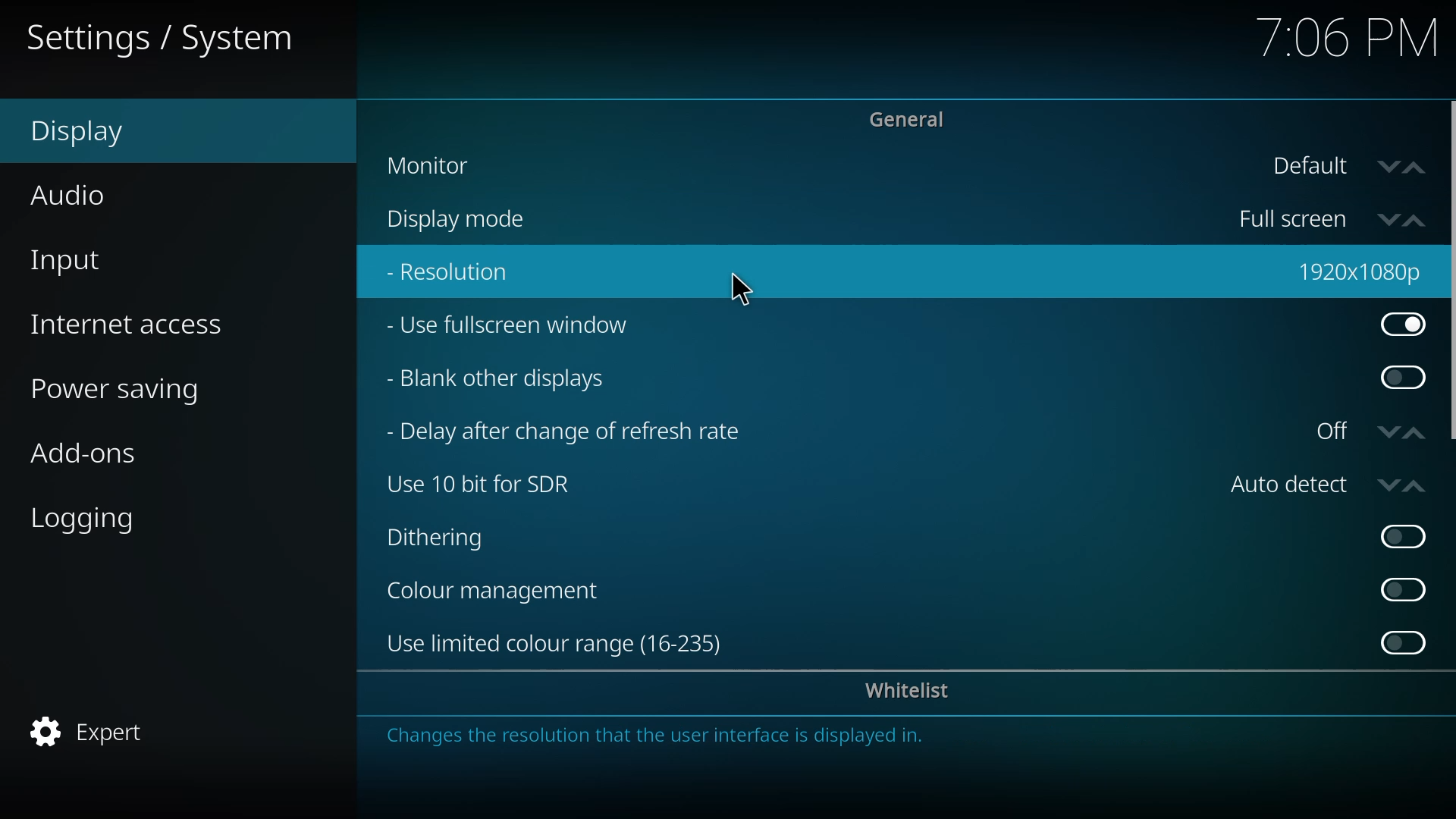 Image resolution: width=1456 pixels, height=819 pixels. I want to click on auto detect, so click(1330, 482).